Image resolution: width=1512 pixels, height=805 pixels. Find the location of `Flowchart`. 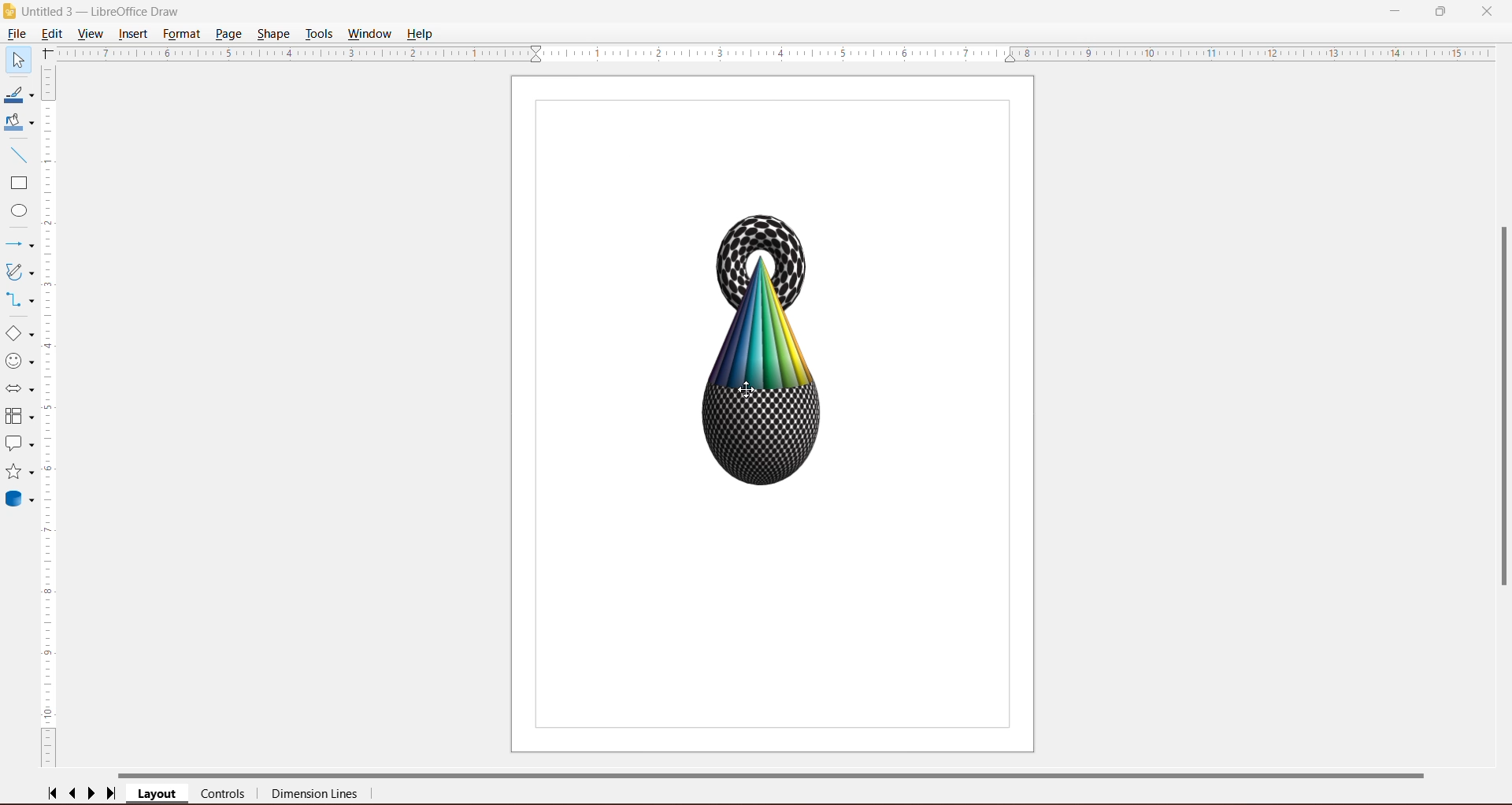

Flowchart is located at coordinates (20, 417).